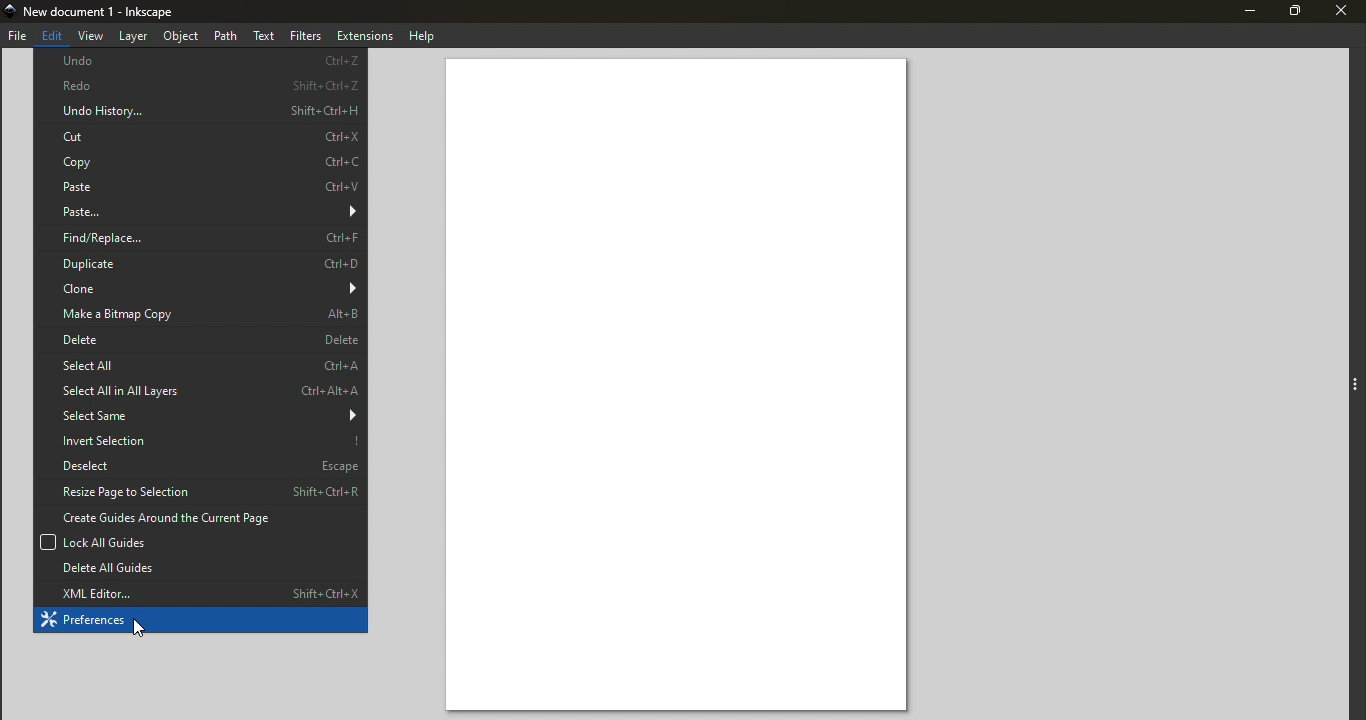 The width and height of the screenshot is (1366, 720). I want to click on File, so click(19, 37).